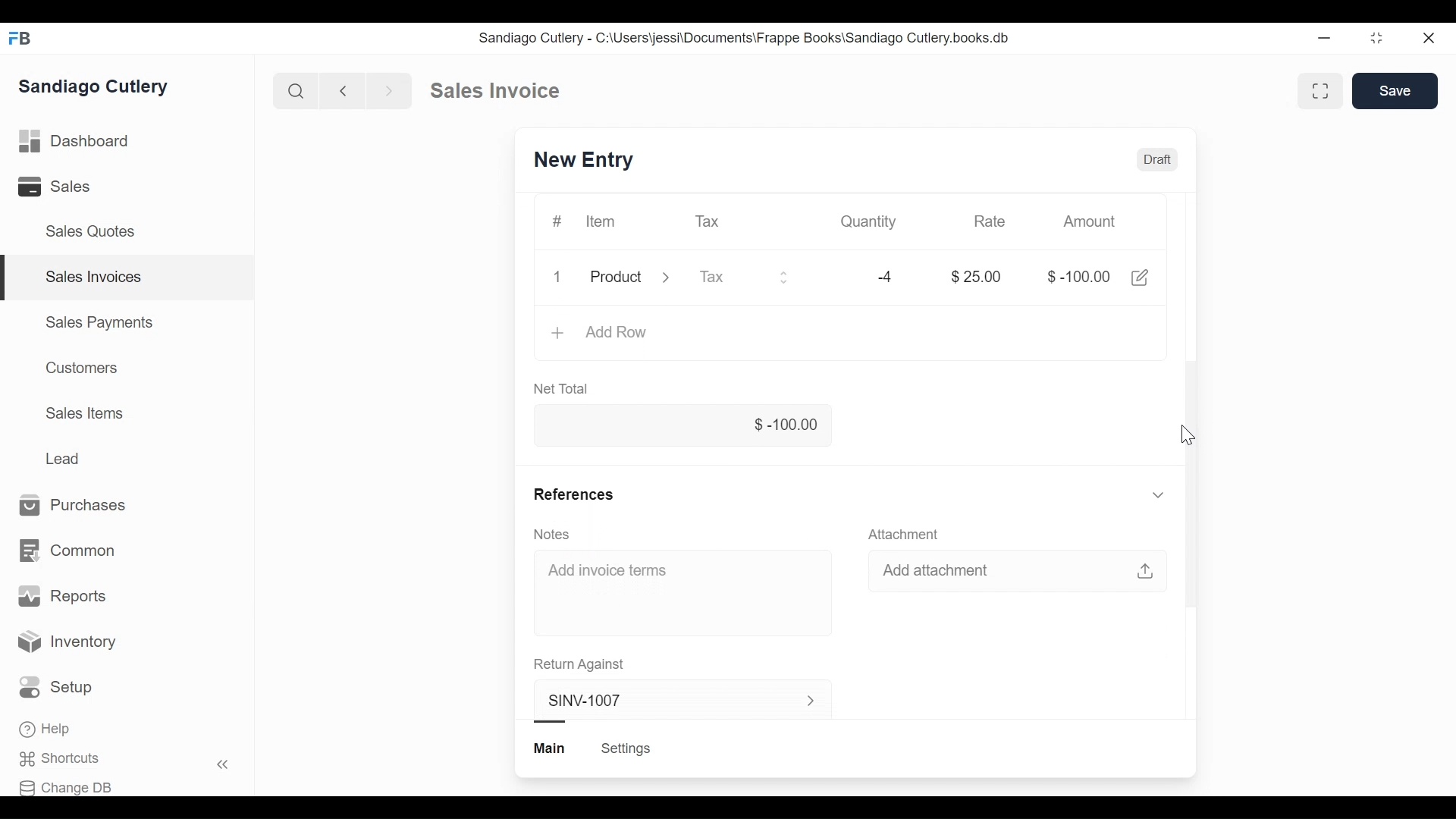 This screenshot has width=1456, height=819. Describe the element at coordinates (626, 748) in the screenshot. I see `Settings` at that location.